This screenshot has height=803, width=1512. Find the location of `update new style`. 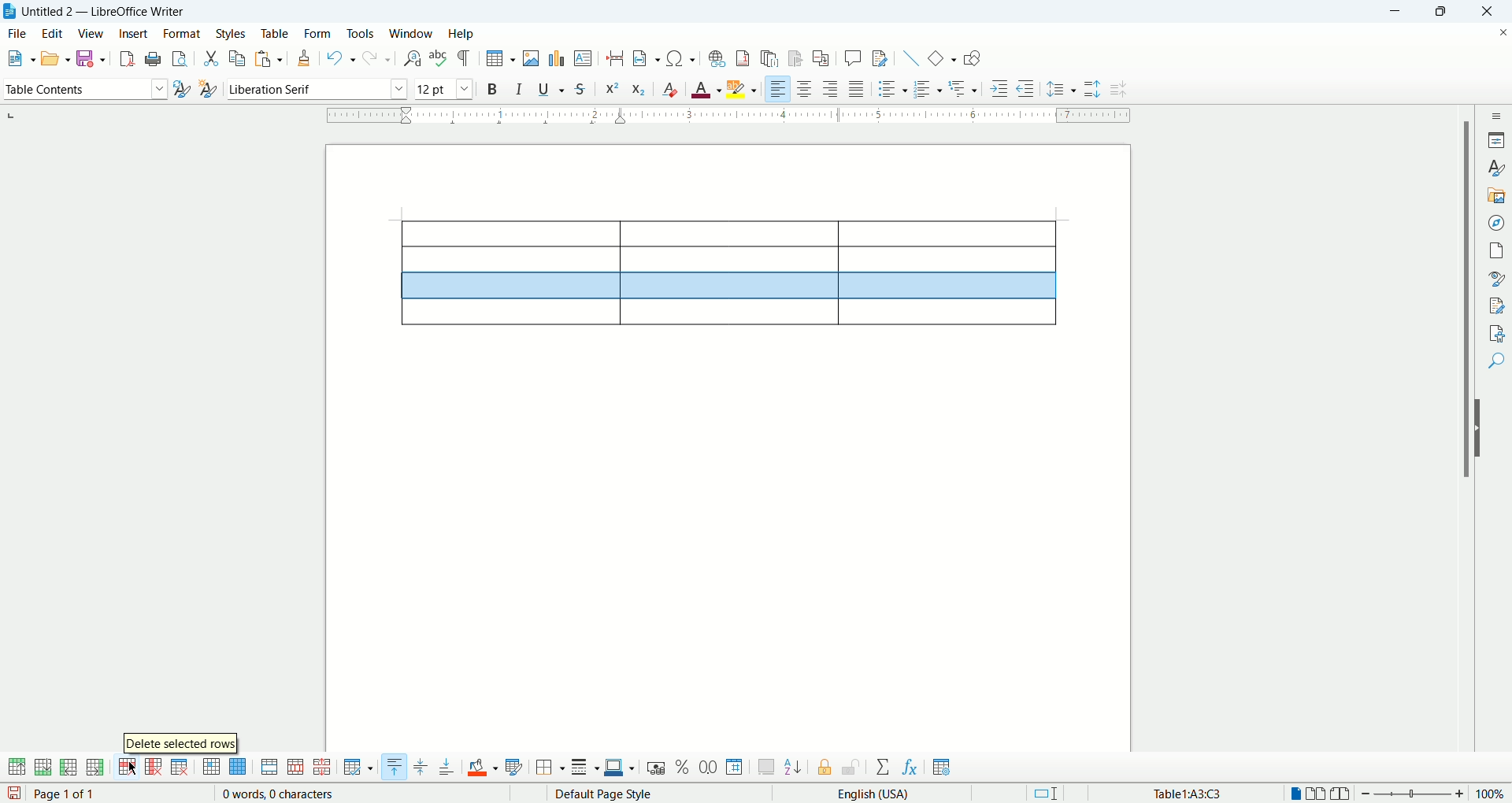

update new style is located at coordinates (182, 89).